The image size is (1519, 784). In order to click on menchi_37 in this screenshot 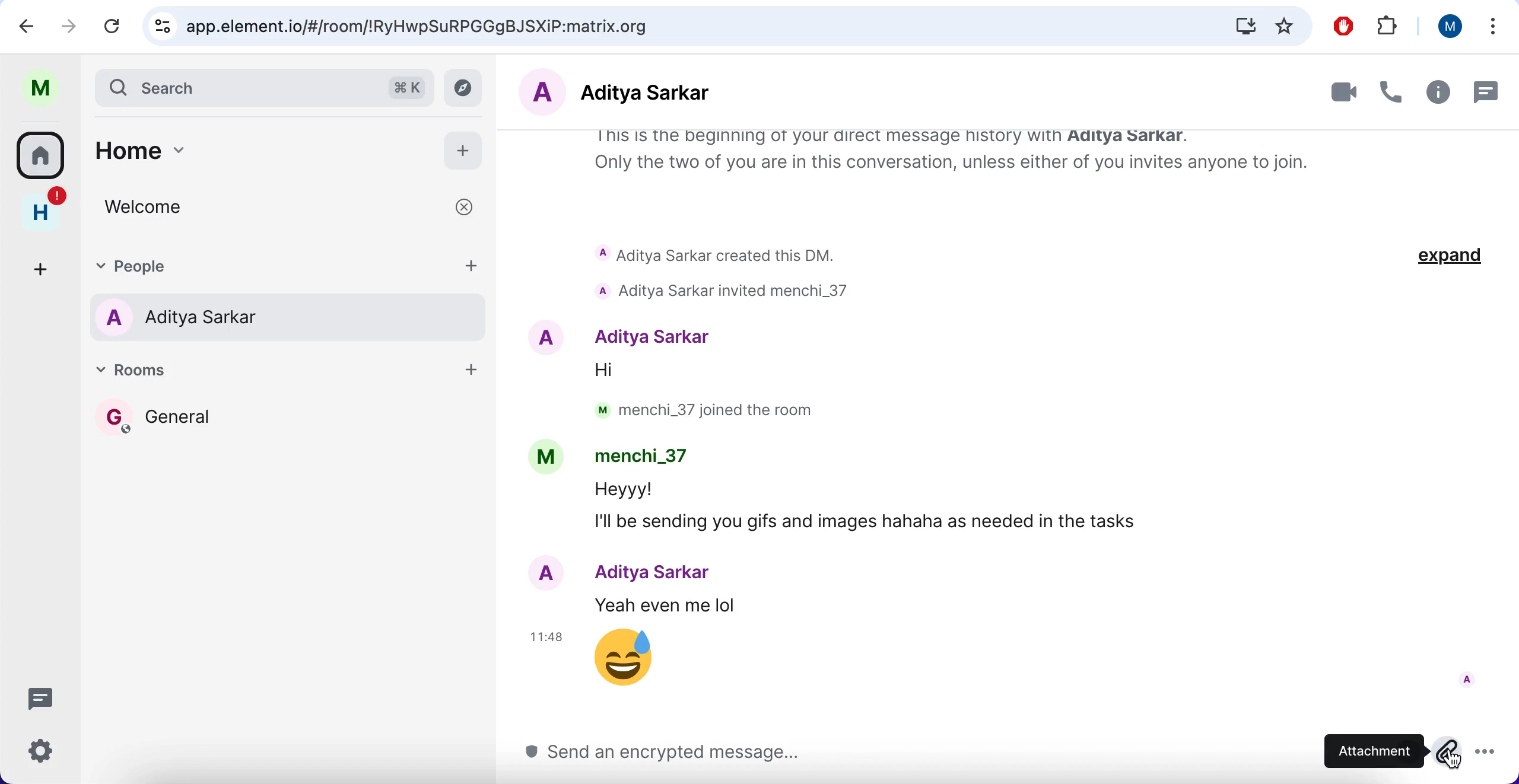, I will do `click(662, 460)`.